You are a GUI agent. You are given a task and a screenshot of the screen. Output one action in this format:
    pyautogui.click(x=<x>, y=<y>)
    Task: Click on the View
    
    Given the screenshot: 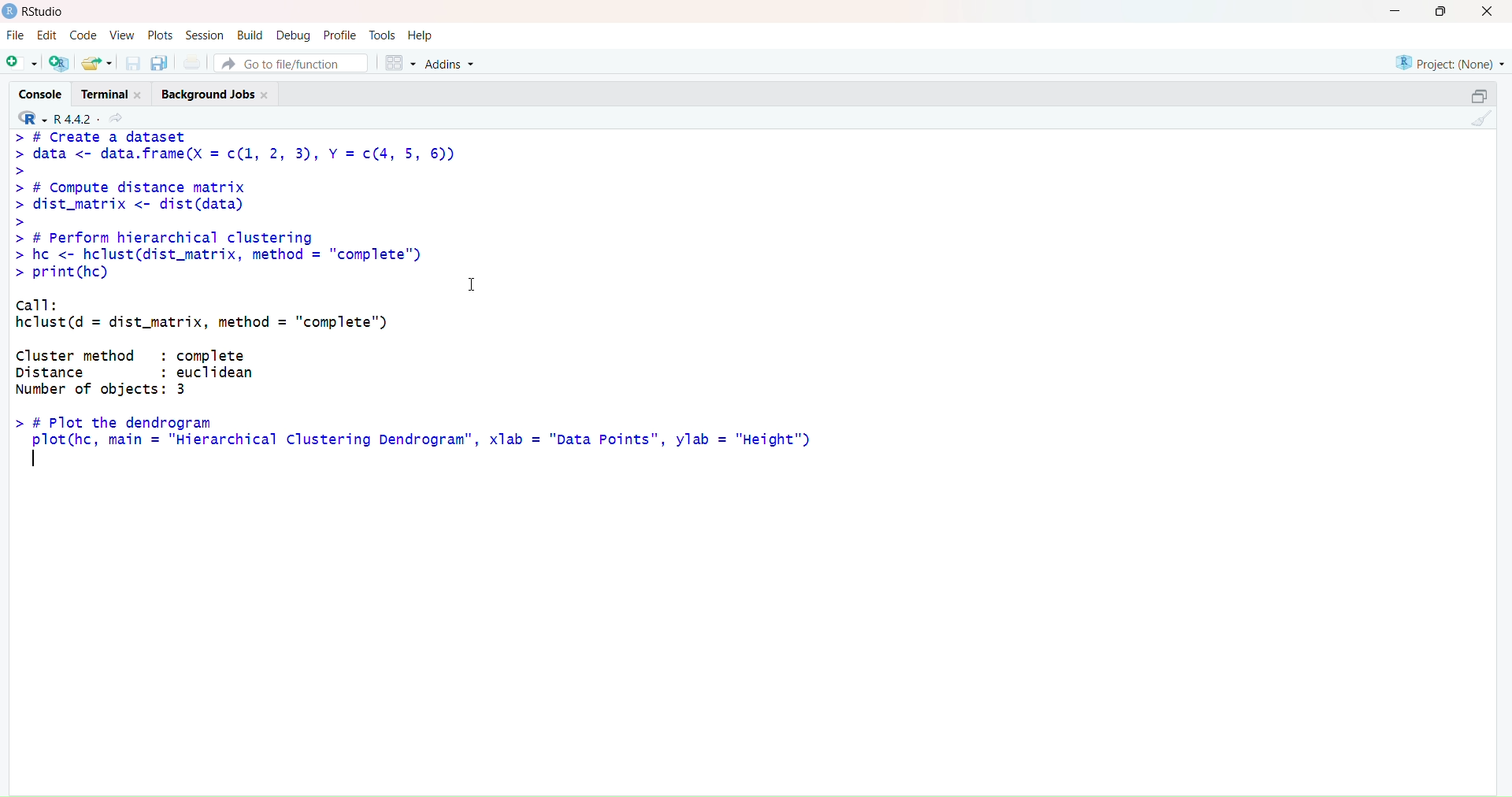 What is the action you would take?
    pyautogui.click(x=122, y=35)
    